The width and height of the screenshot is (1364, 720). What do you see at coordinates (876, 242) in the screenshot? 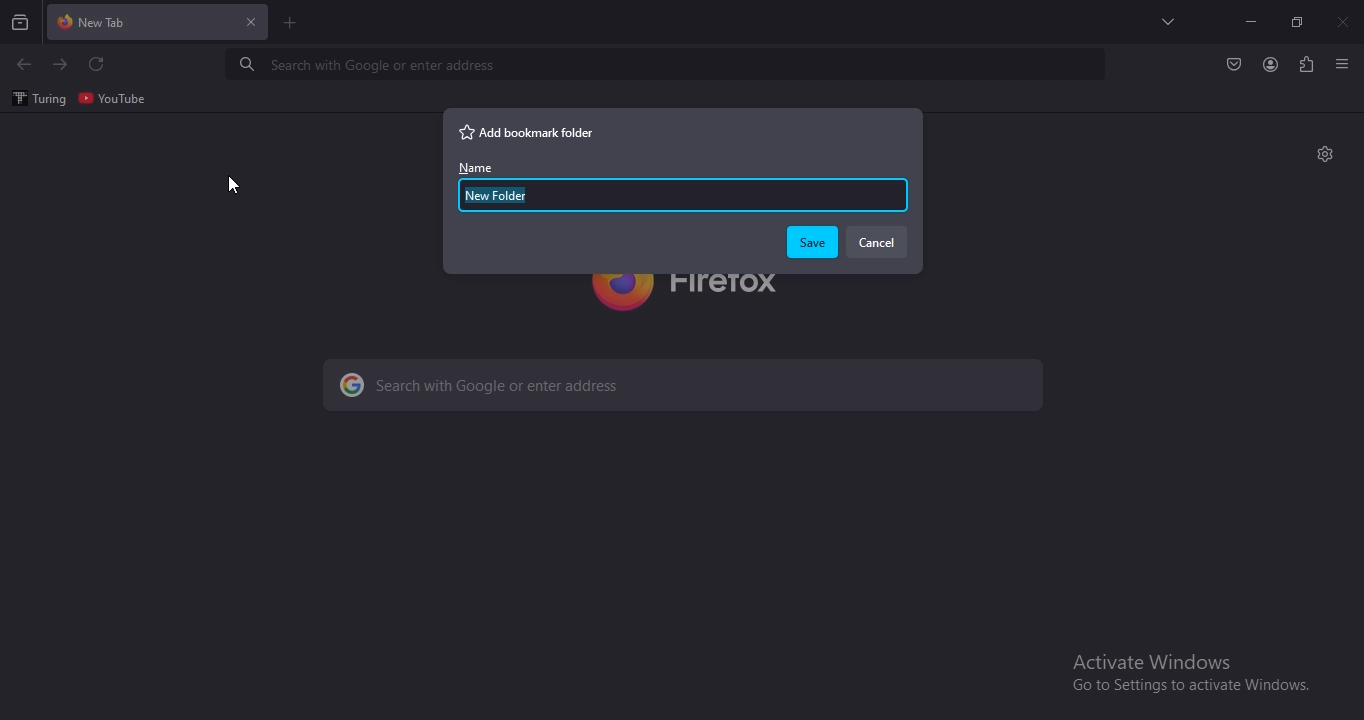
I see `cancel` at bounding box center [876, 242].